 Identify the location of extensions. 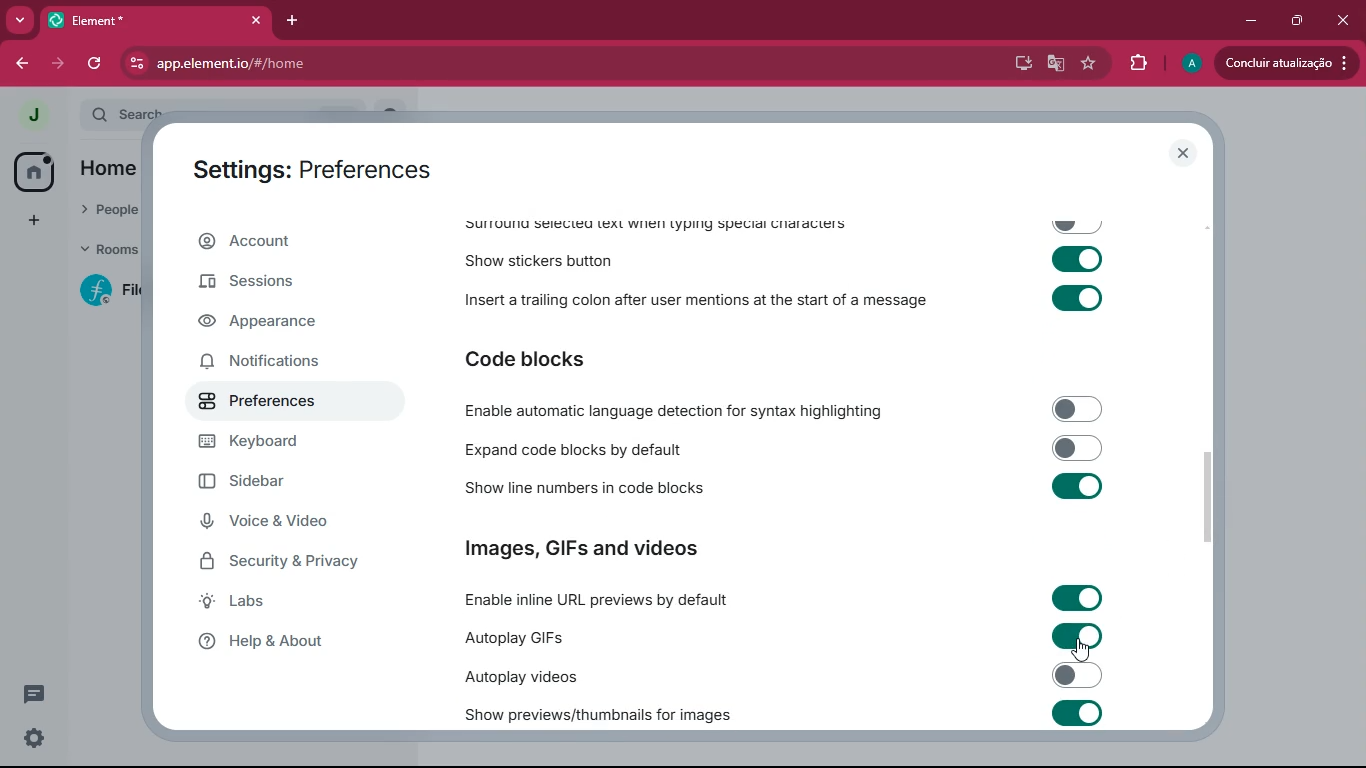
(1135, 63).